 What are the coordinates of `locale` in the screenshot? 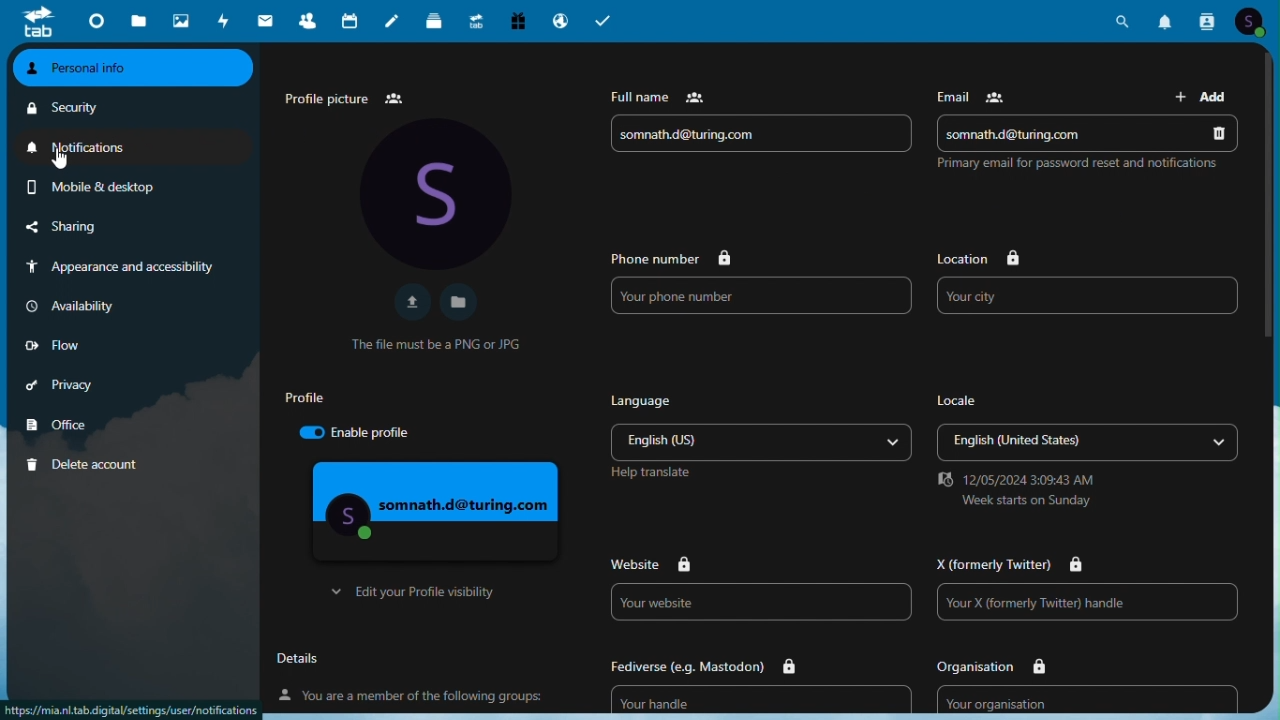 It's located at (1084, 401).